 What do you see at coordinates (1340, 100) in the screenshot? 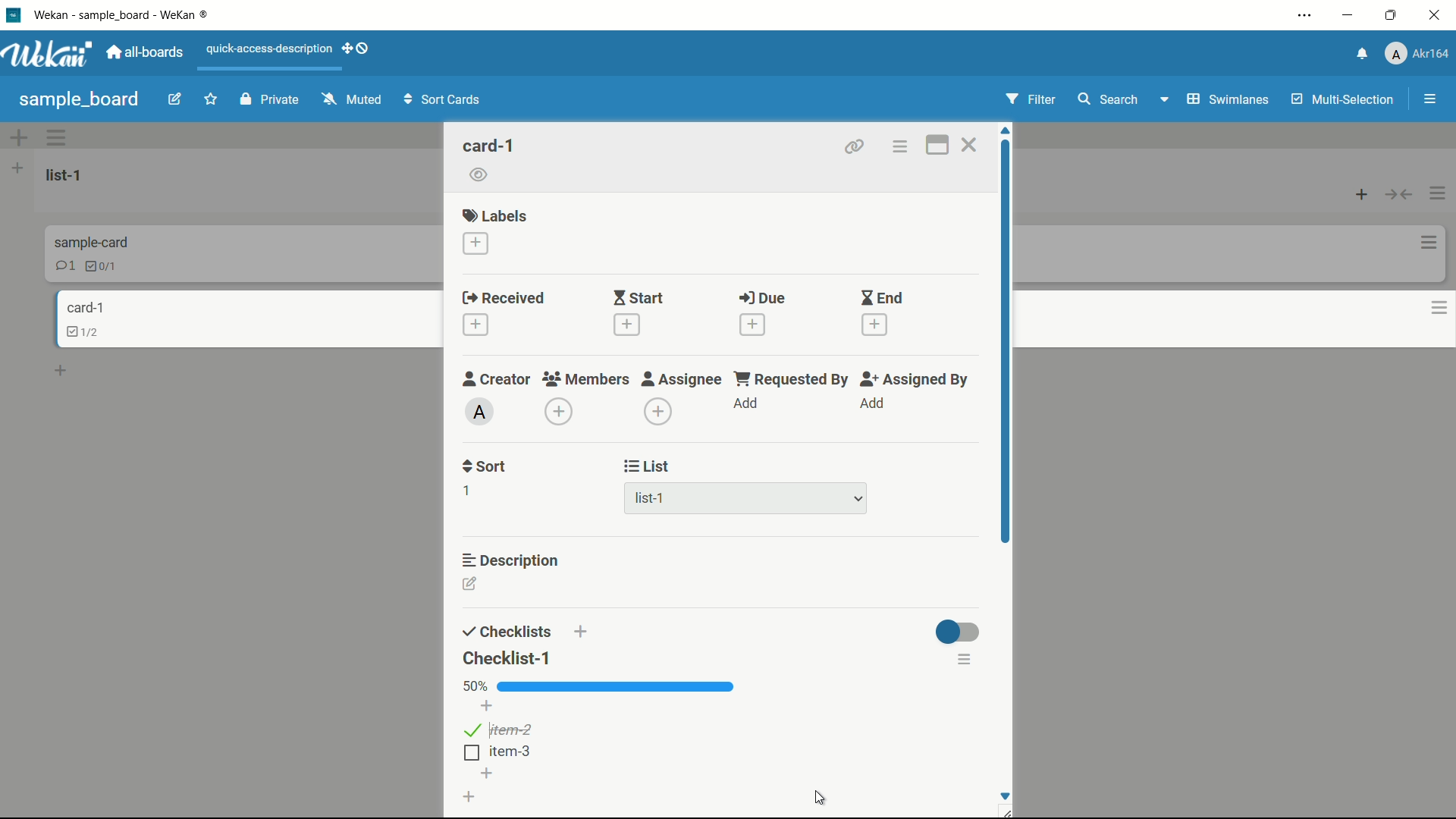
I see `multi- selection` at bounding box center [1340, 100].